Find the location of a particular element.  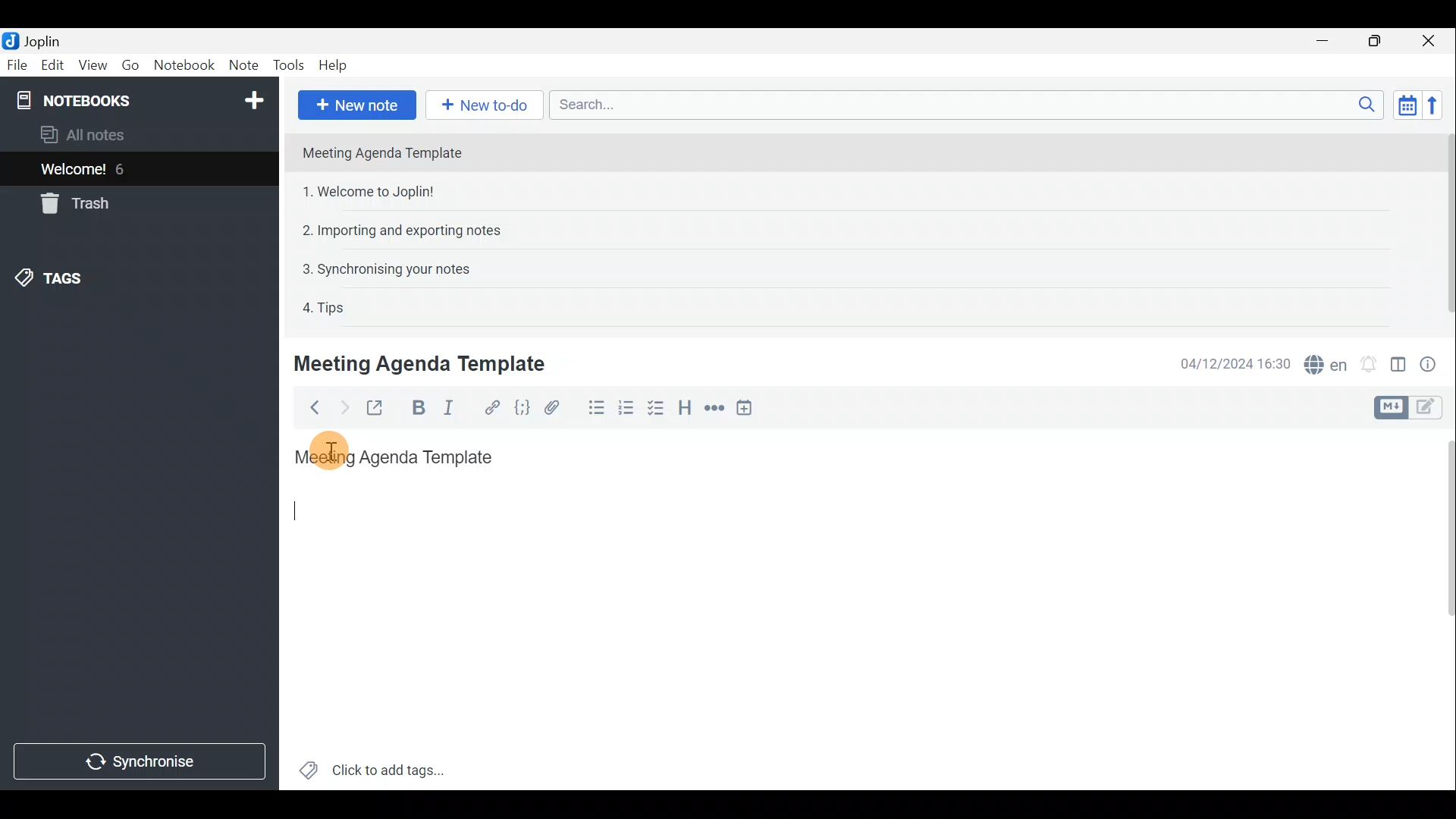

Horizontal rule is located at coordinates (713, 410).